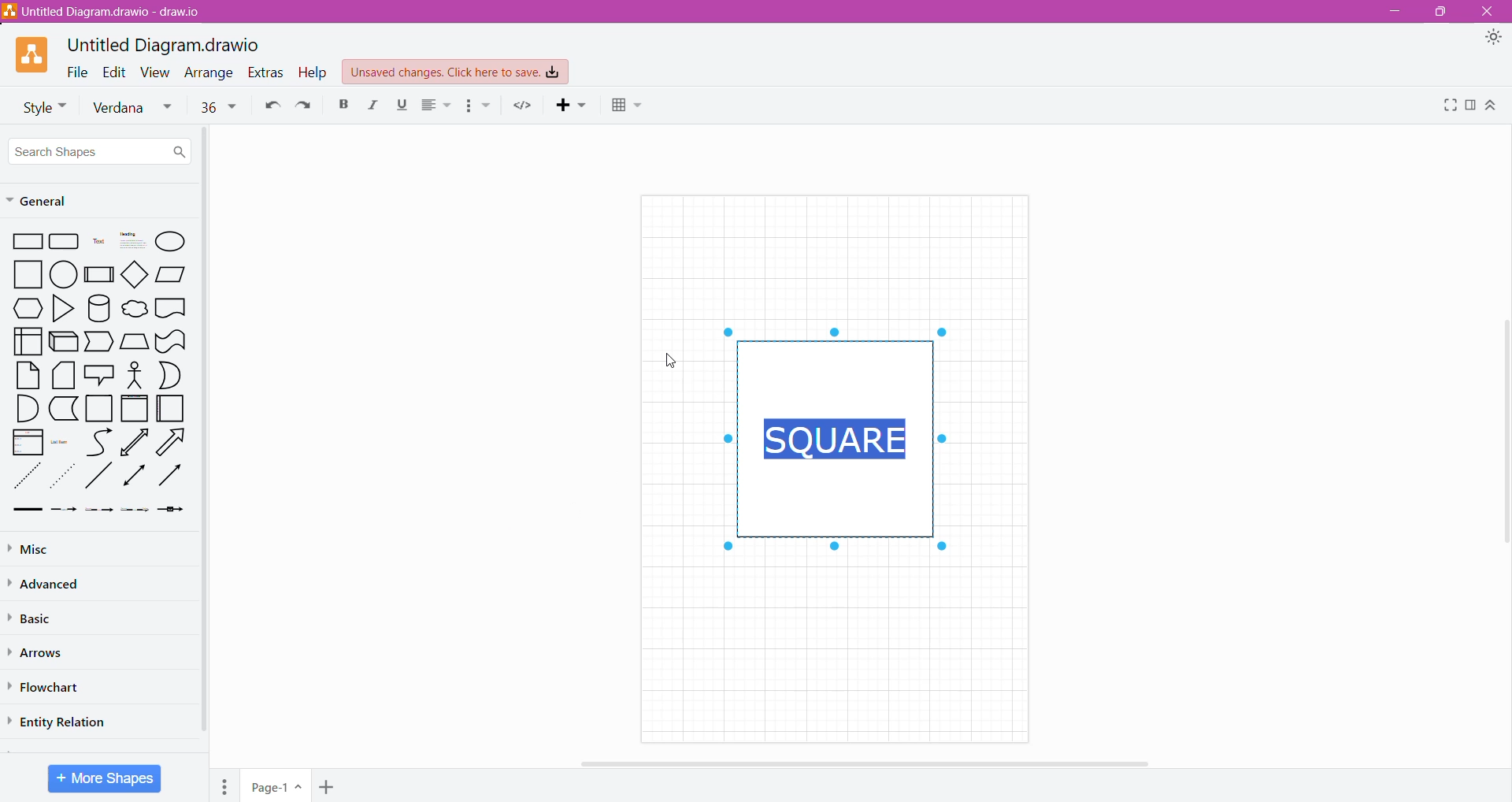  What do you see at coordinates (64, 477) in the screenshot?
I see `Dotted Arrow ` at bounding box center [64, 477].